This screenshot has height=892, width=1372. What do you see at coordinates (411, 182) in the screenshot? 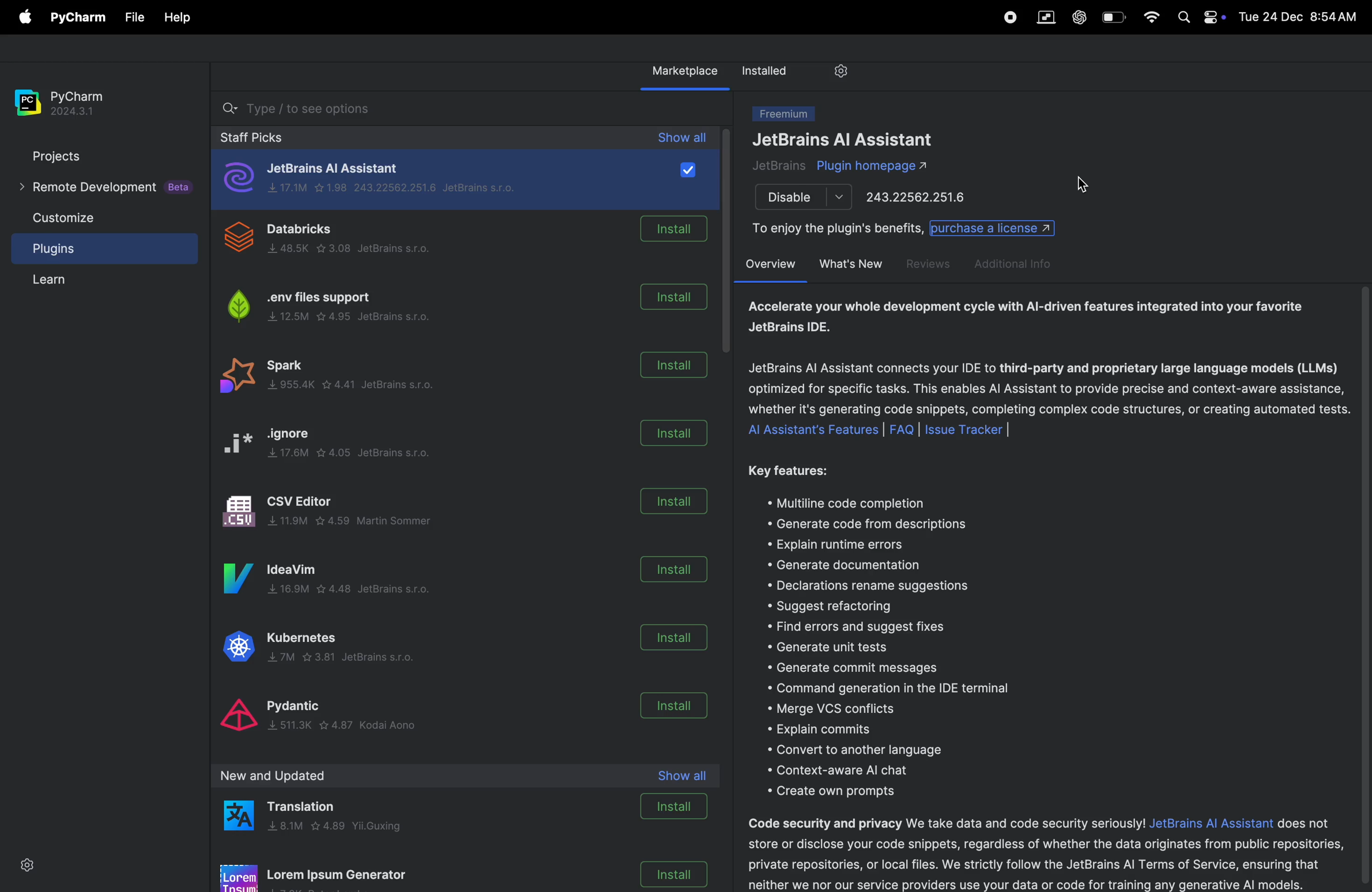
I see `jet brains ai assistant` at bounding box center [411, 182].